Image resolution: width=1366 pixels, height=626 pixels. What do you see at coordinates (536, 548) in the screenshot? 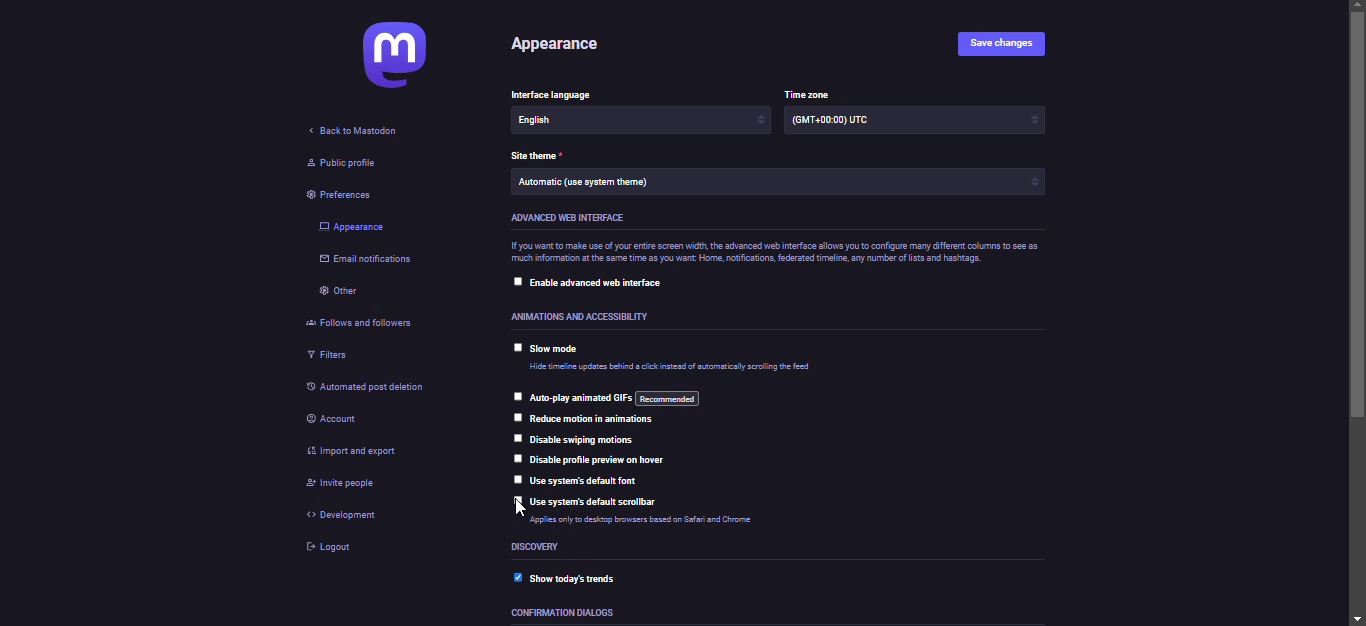
I see `discovery` at bounding box center [536, 548].